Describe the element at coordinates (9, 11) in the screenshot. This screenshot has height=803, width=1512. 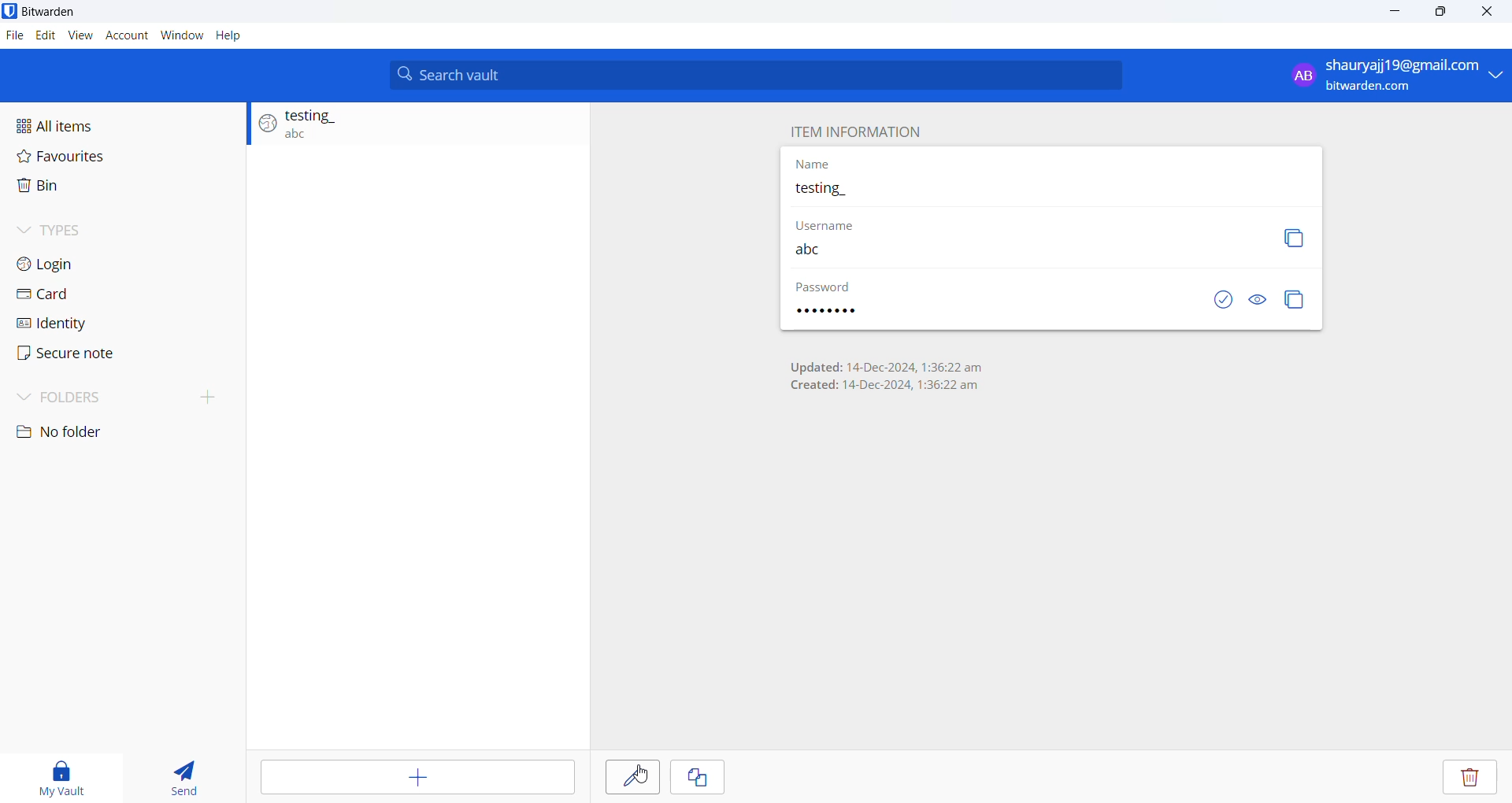
I see `application logo` at that location.